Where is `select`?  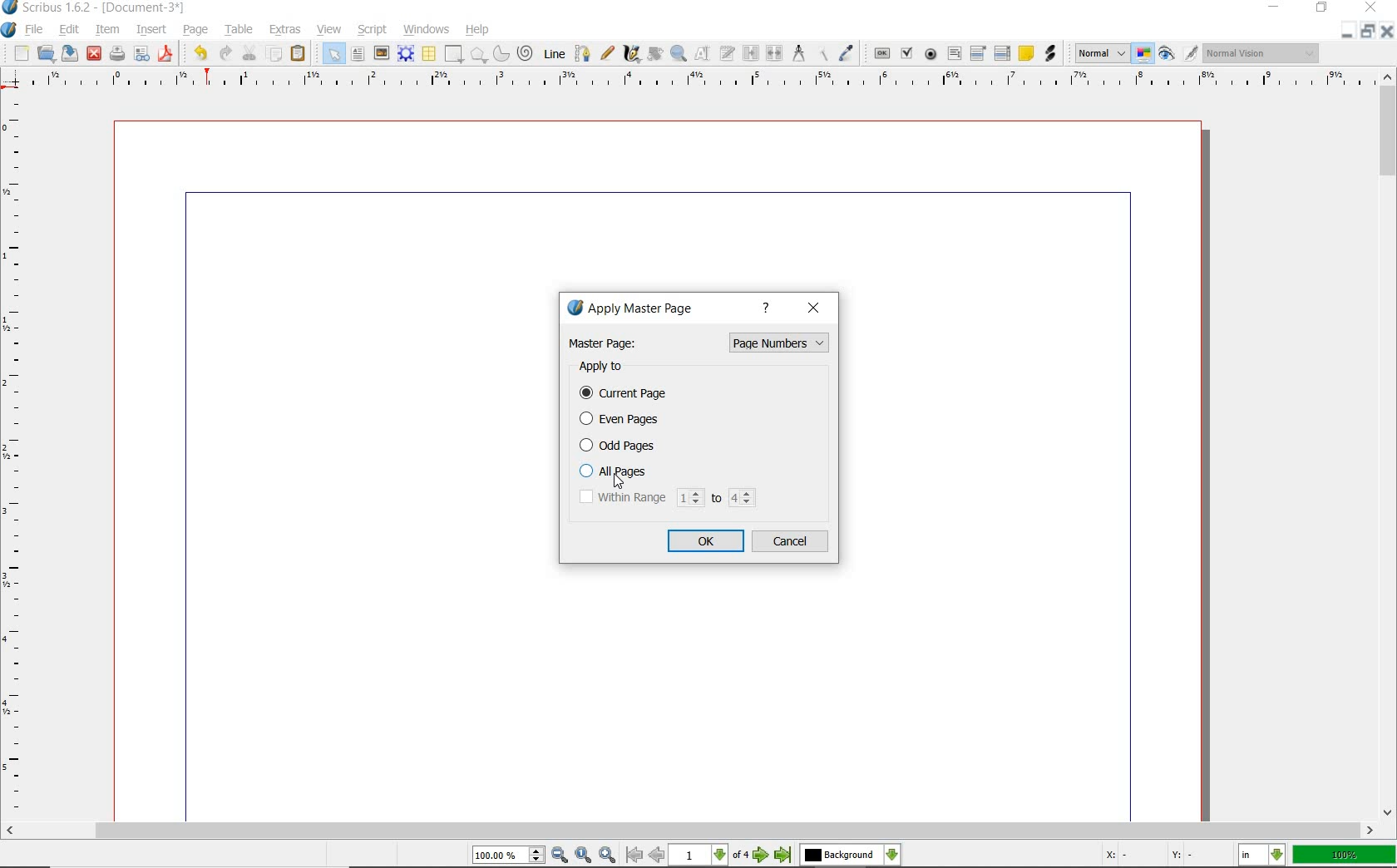 select is located at coordinates (333, 53).